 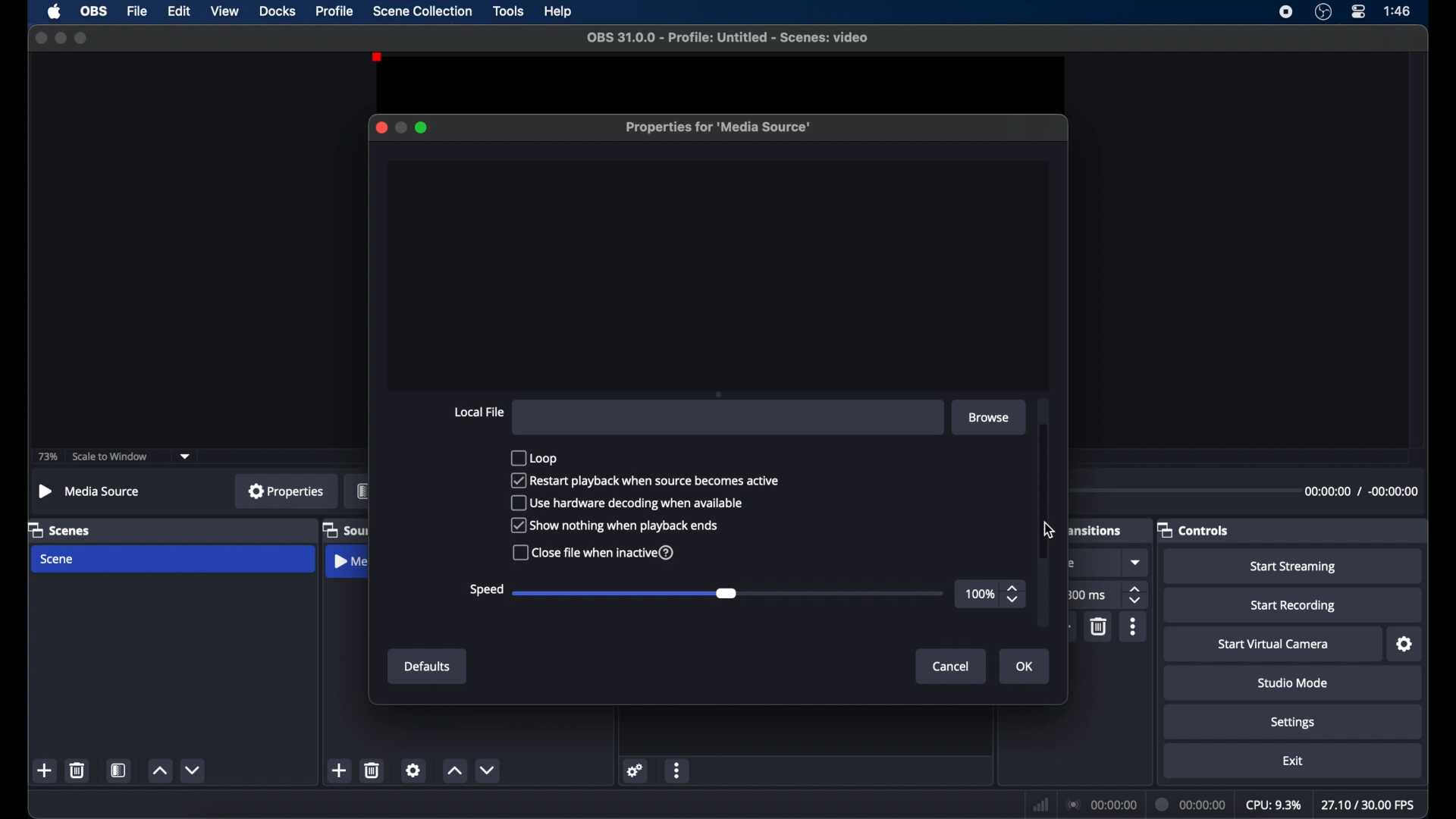 What do you see at coordinates (677, 772) in the screenshot?
I see `more options` at bounding box center [677, 772].